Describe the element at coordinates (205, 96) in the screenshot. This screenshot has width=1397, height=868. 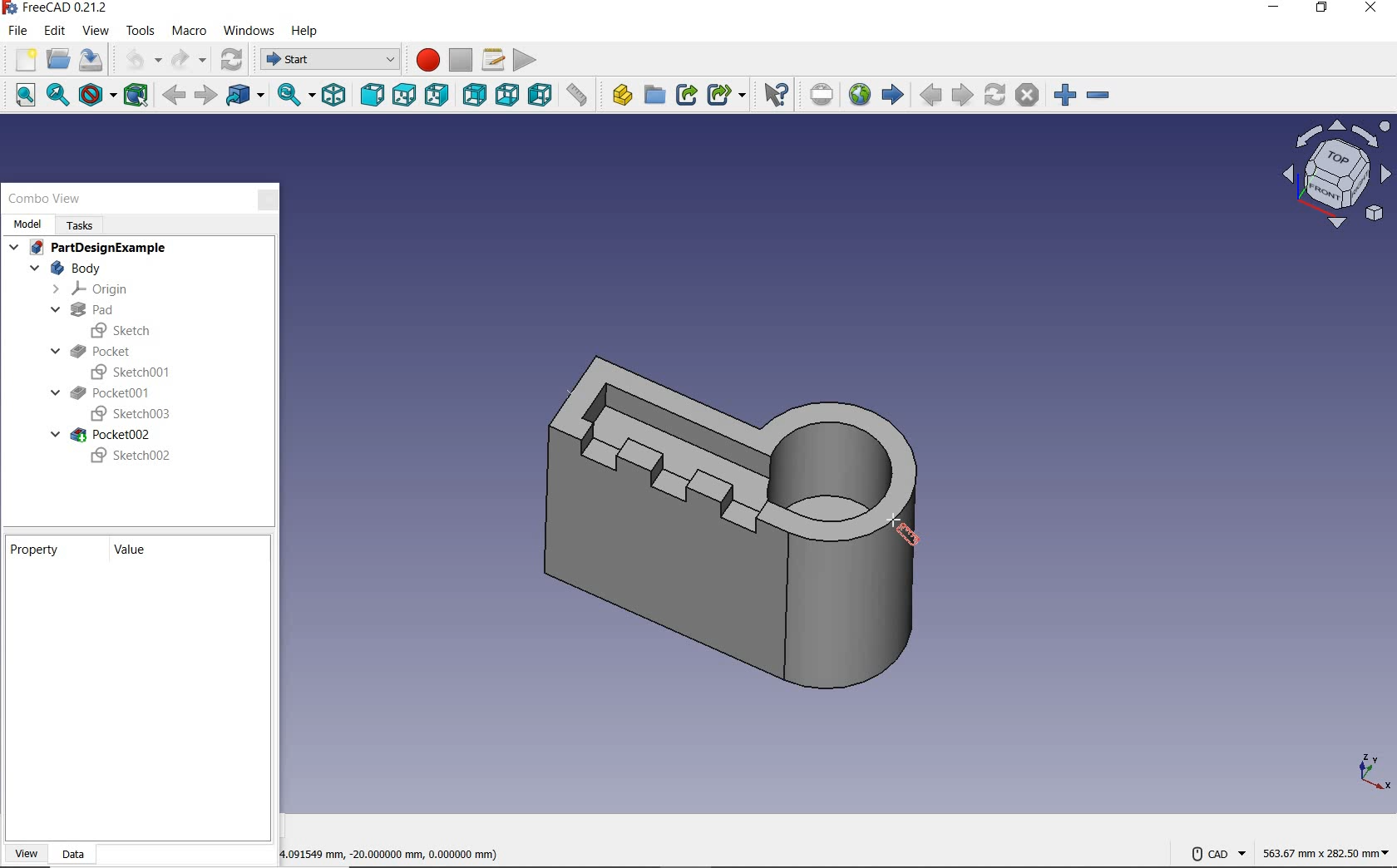
I see `forward` at that location.